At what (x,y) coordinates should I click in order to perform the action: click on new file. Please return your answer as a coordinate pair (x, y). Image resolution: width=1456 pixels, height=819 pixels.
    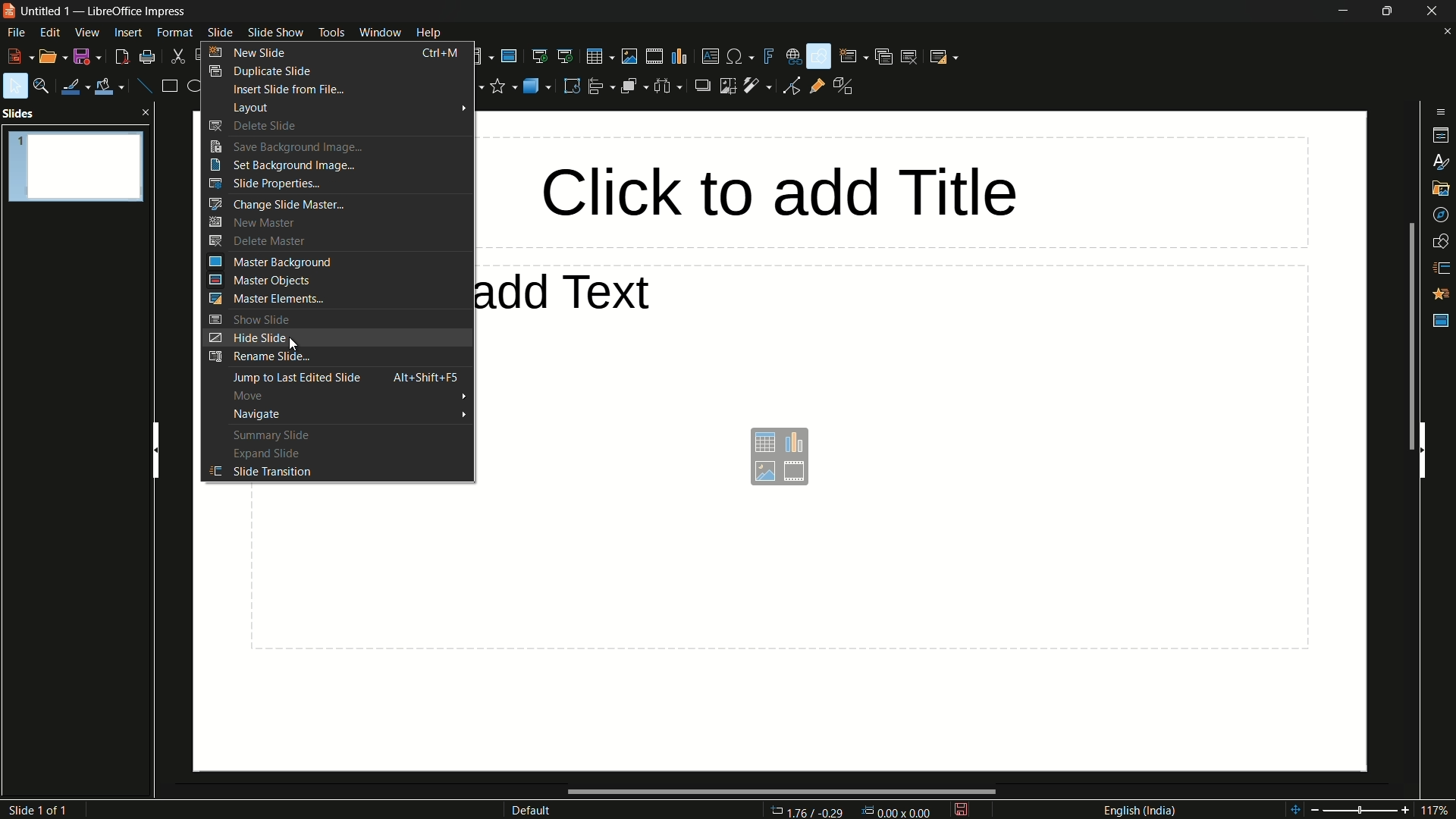
    Looking at the image, I should click on (20, 57).